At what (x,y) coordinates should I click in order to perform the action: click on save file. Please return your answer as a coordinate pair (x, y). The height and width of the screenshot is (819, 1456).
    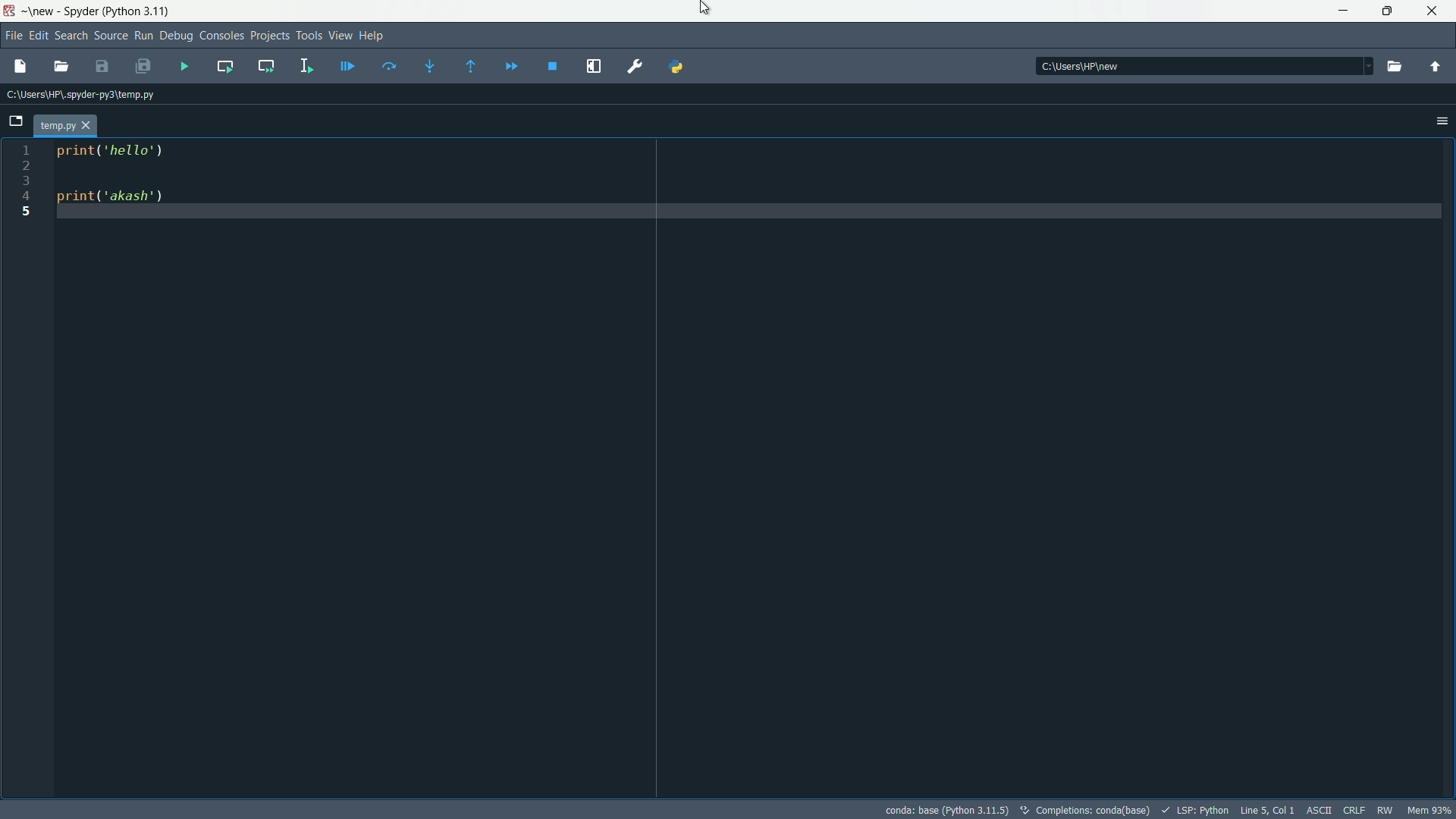
    Looking at the image, I should click on (103, 67).